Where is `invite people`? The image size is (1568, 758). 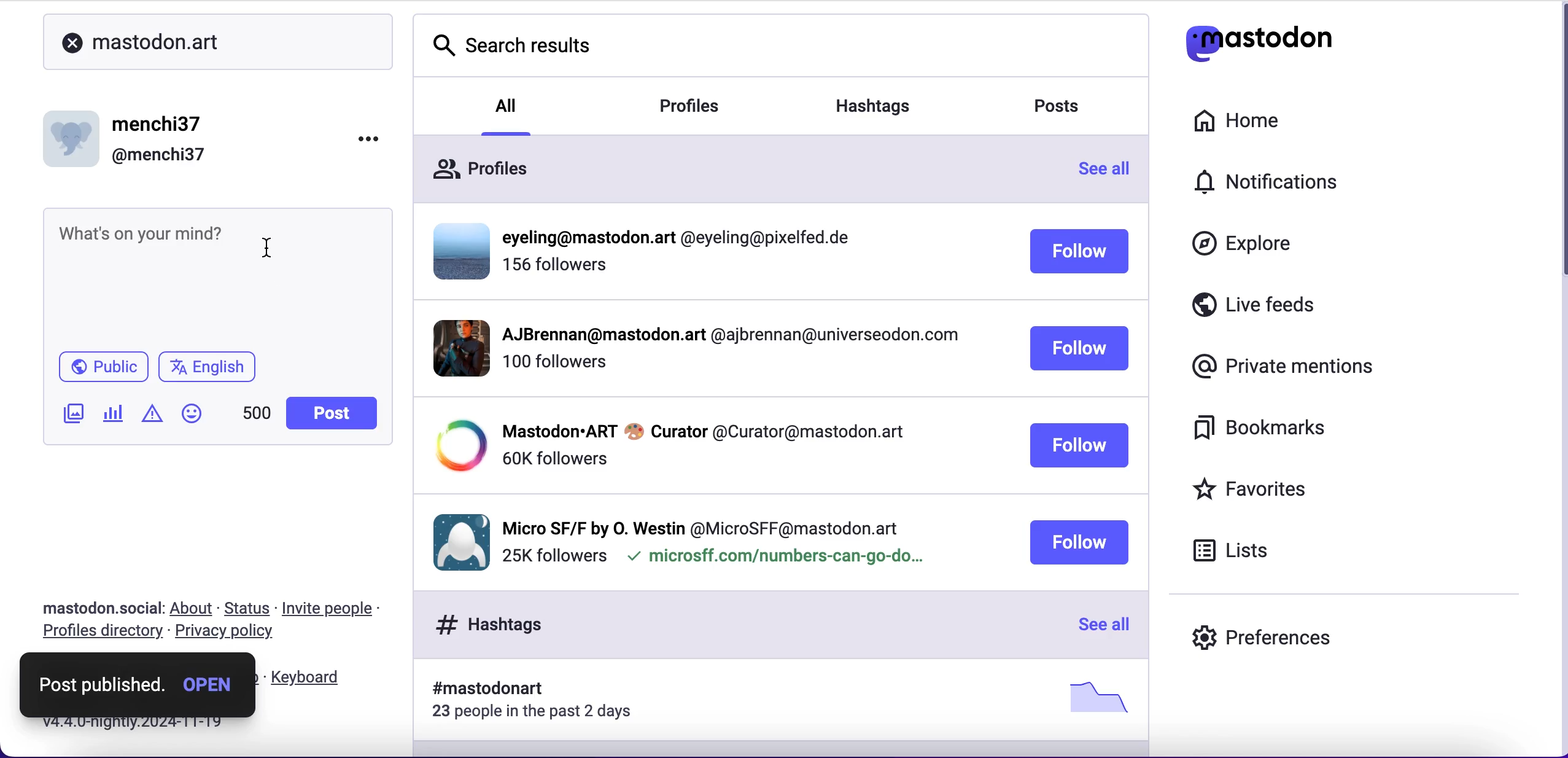
invite people is located at coordinates (340, 608).